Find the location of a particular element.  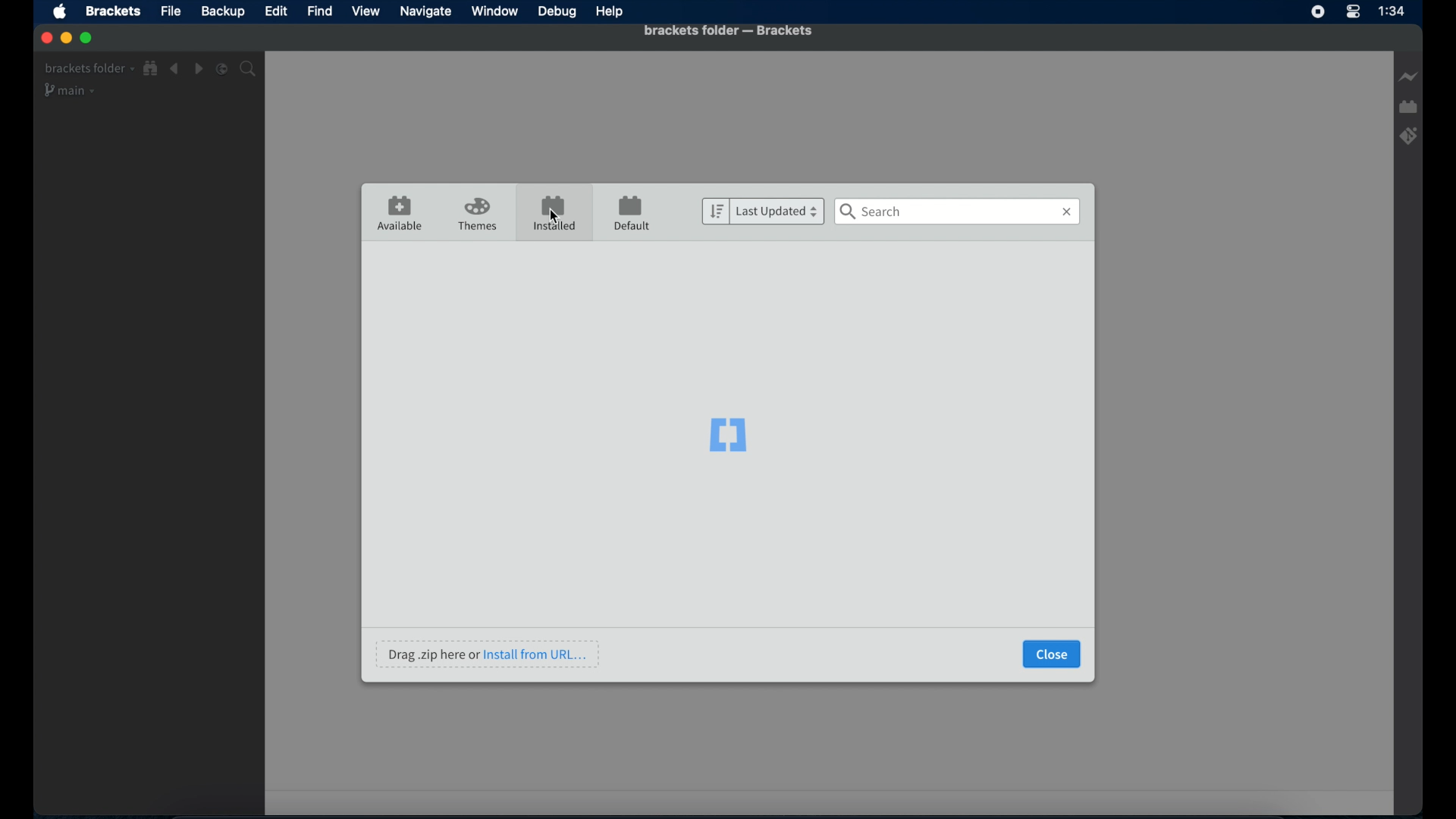

Live preview is located at coordinates (1408, 77).